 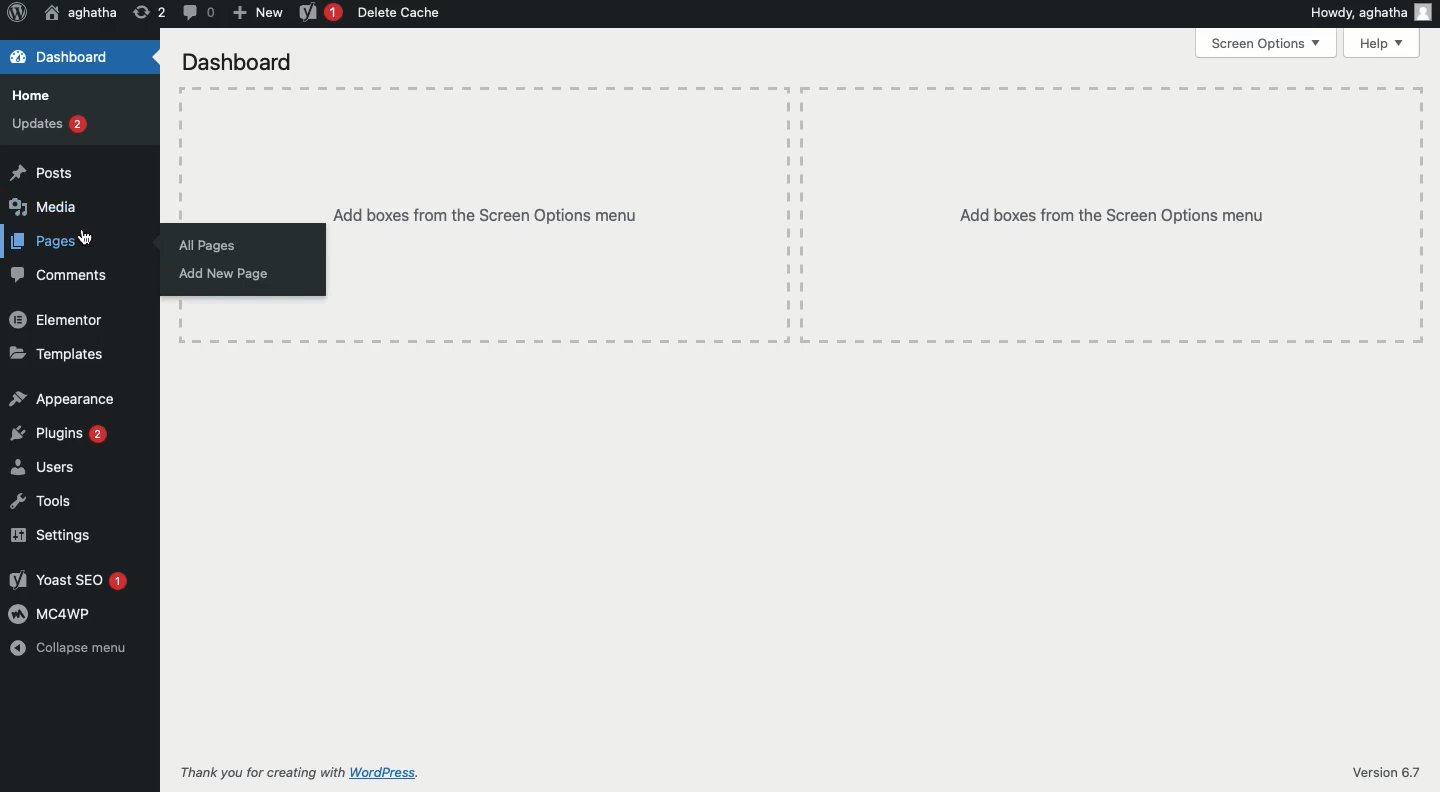 What do you see at coordinates (29, 96) in the screenshot?
I see `Home` at bounding box center [29, 96].